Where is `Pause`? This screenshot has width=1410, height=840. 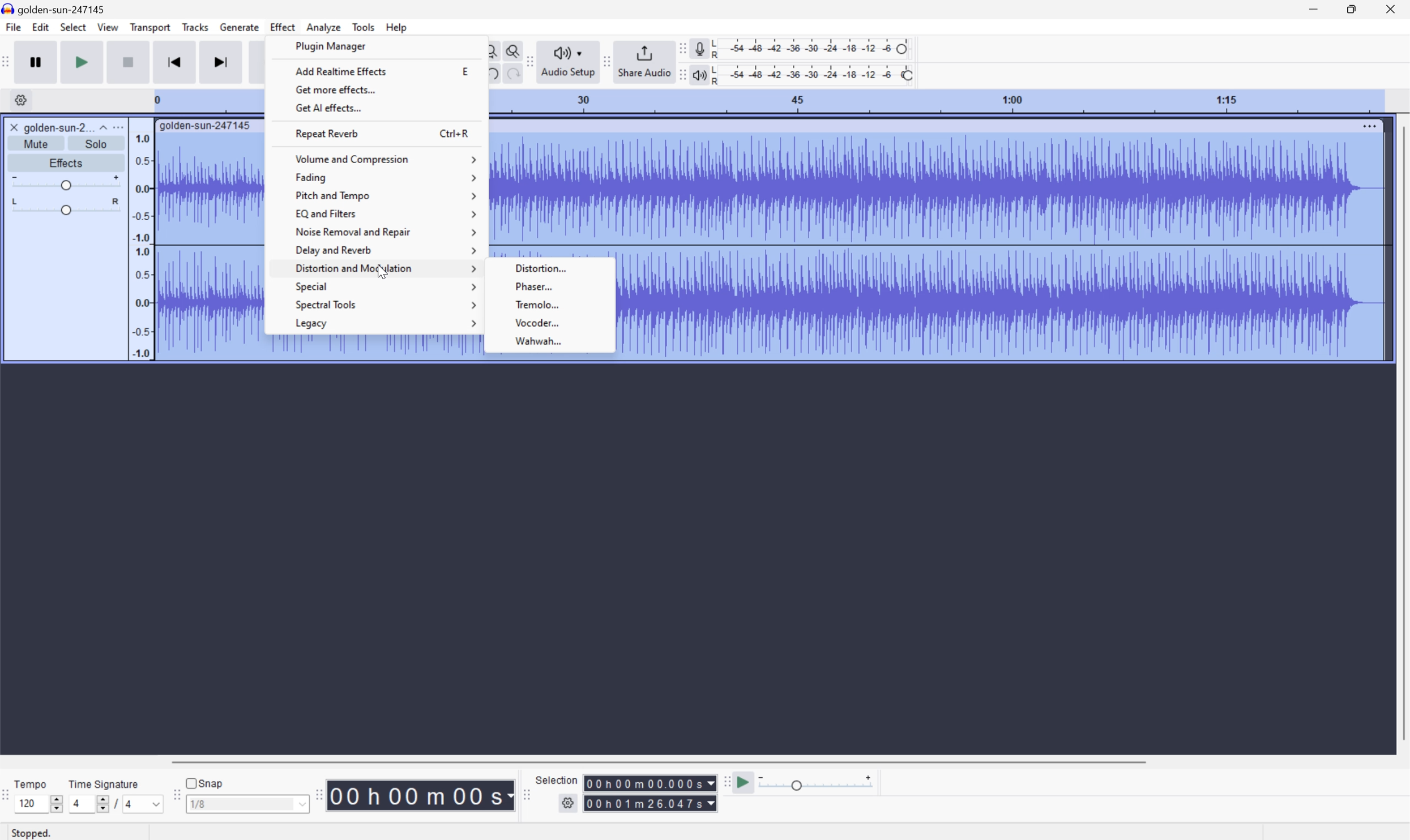 Pause is located at coordinates (38, 61).